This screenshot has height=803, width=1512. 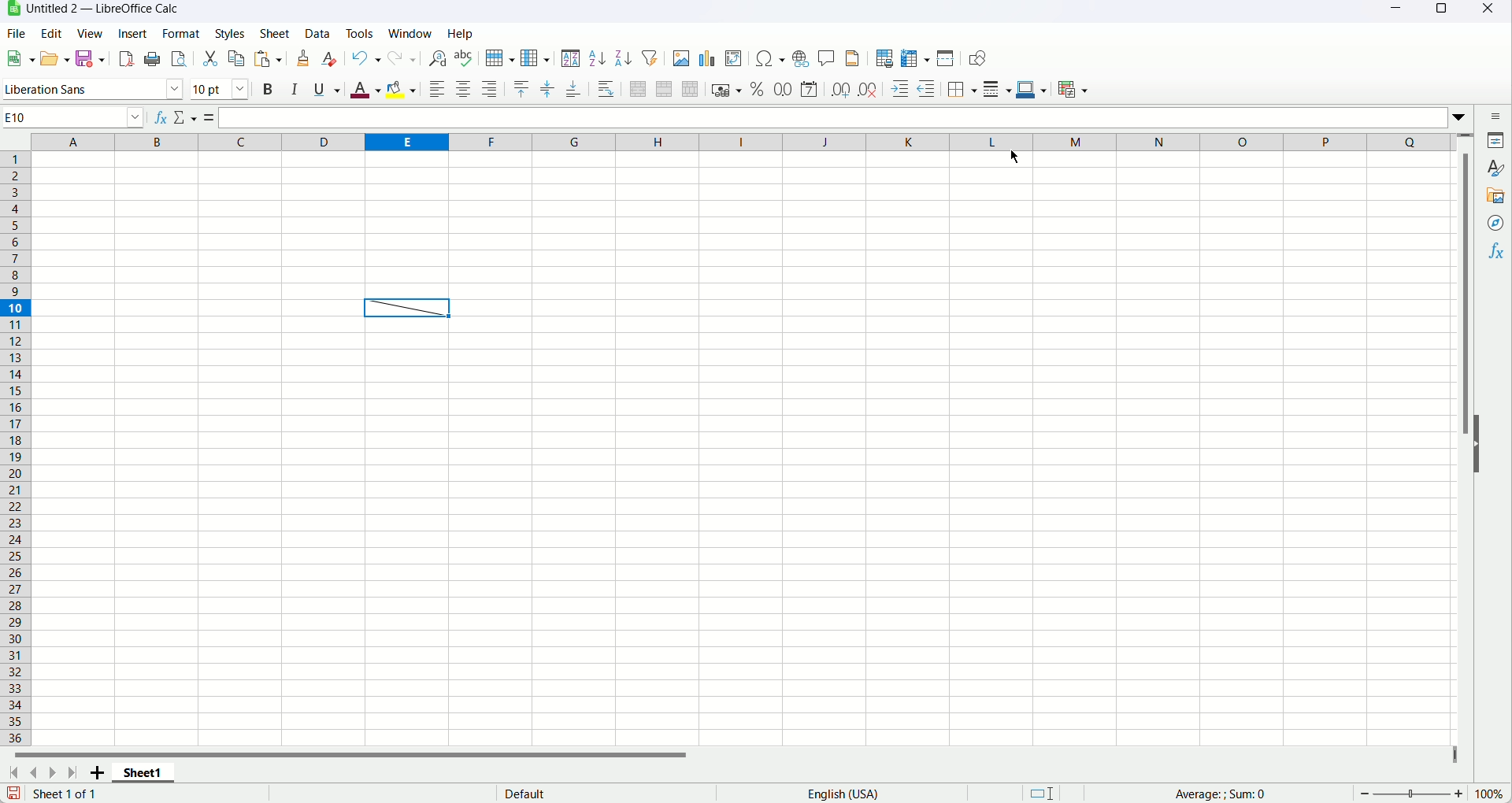 I want to click on Select function, so click(x=187, y=117).